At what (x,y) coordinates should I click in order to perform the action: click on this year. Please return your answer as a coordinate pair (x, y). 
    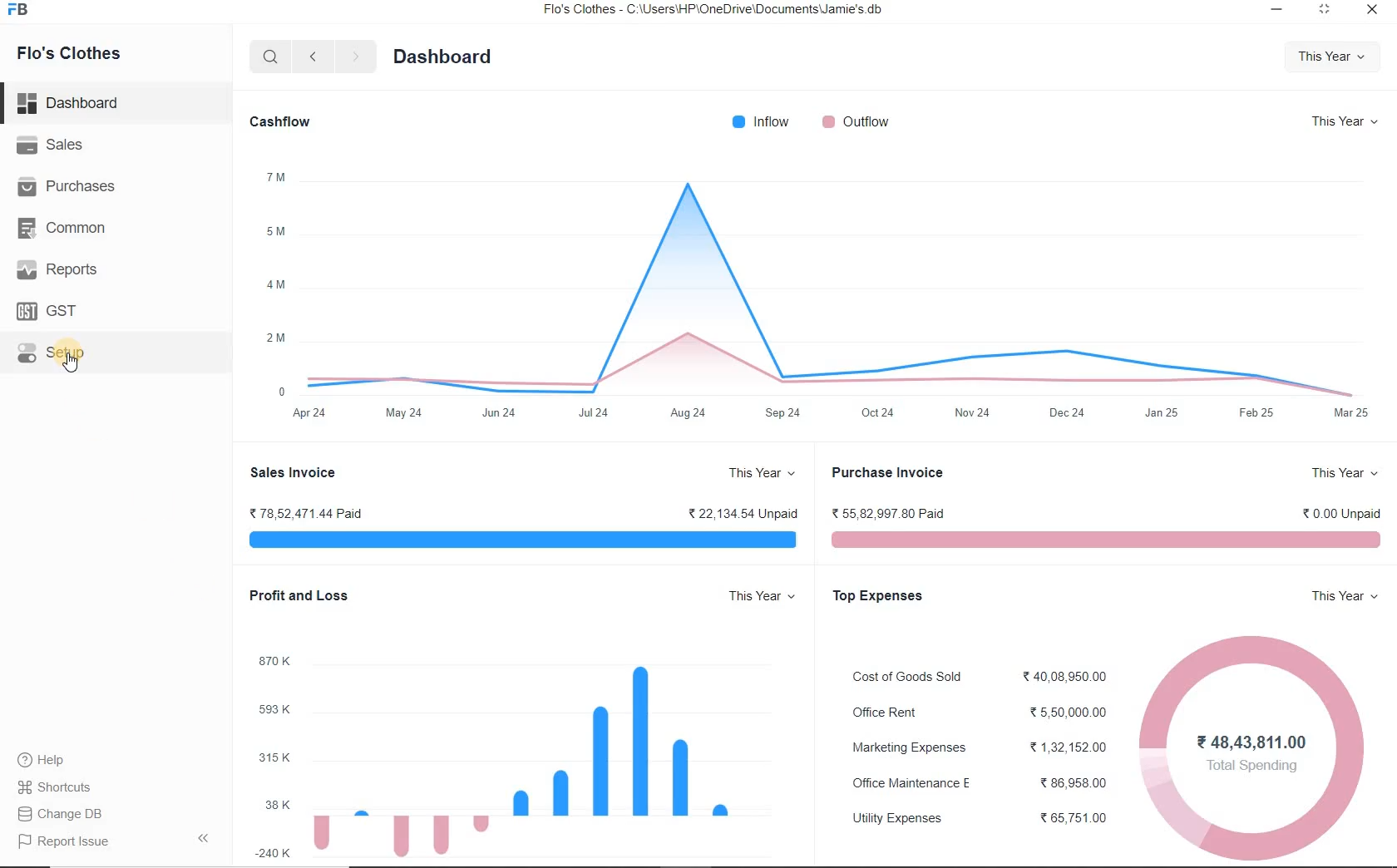
    Looking at the image, I should click on (1335, 60).